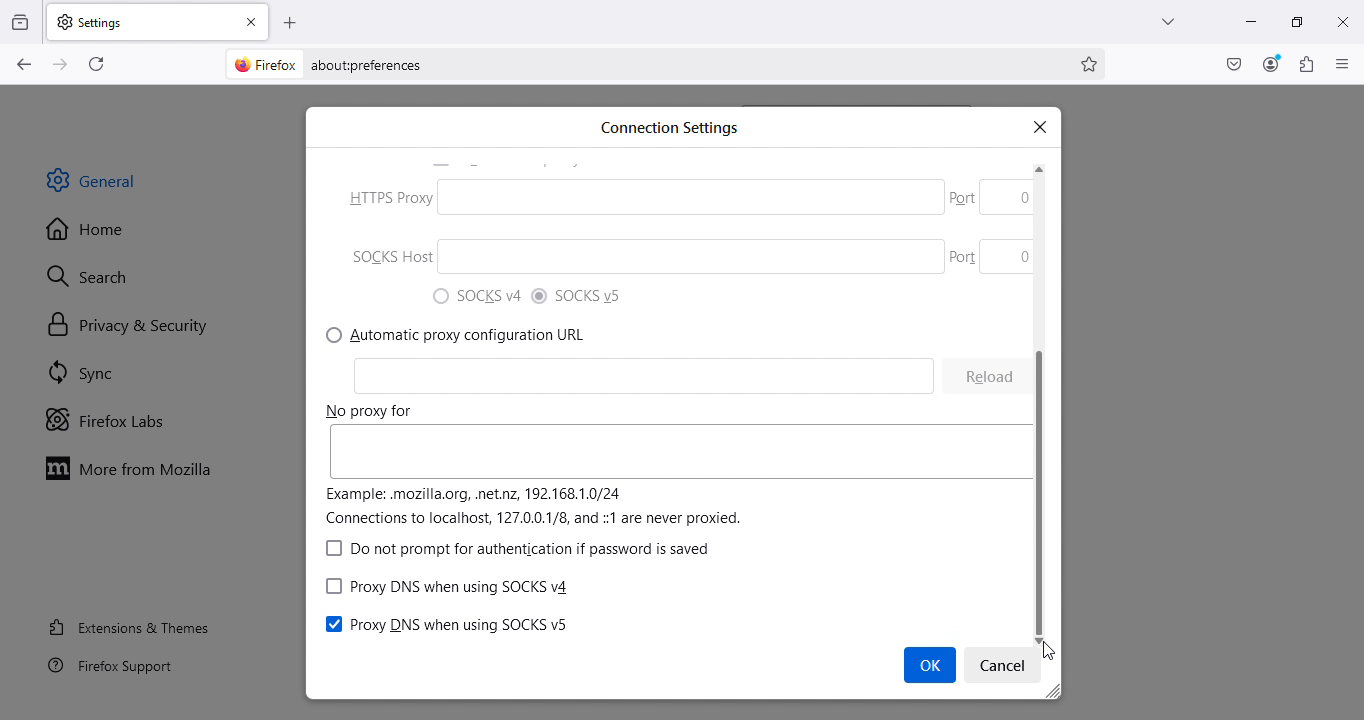 This screenshot has height=720, width=1364. What do you see at coordinates (99, 62) in the screenshot?
I see `Reload current page` at bounding box center [99, 62].